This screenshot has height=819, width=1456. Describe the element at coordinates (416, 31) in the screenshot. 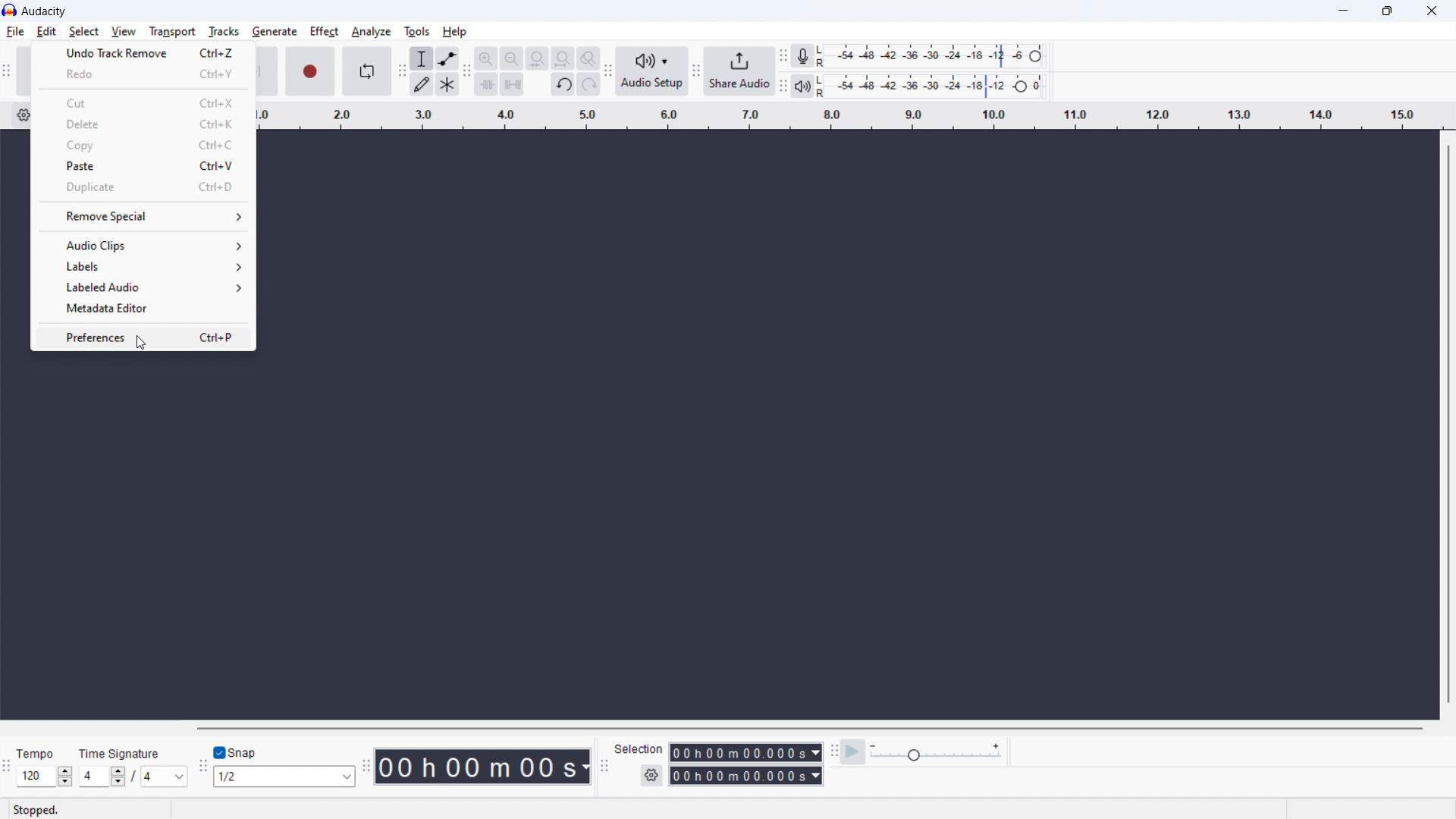

I see `tools` at that location.